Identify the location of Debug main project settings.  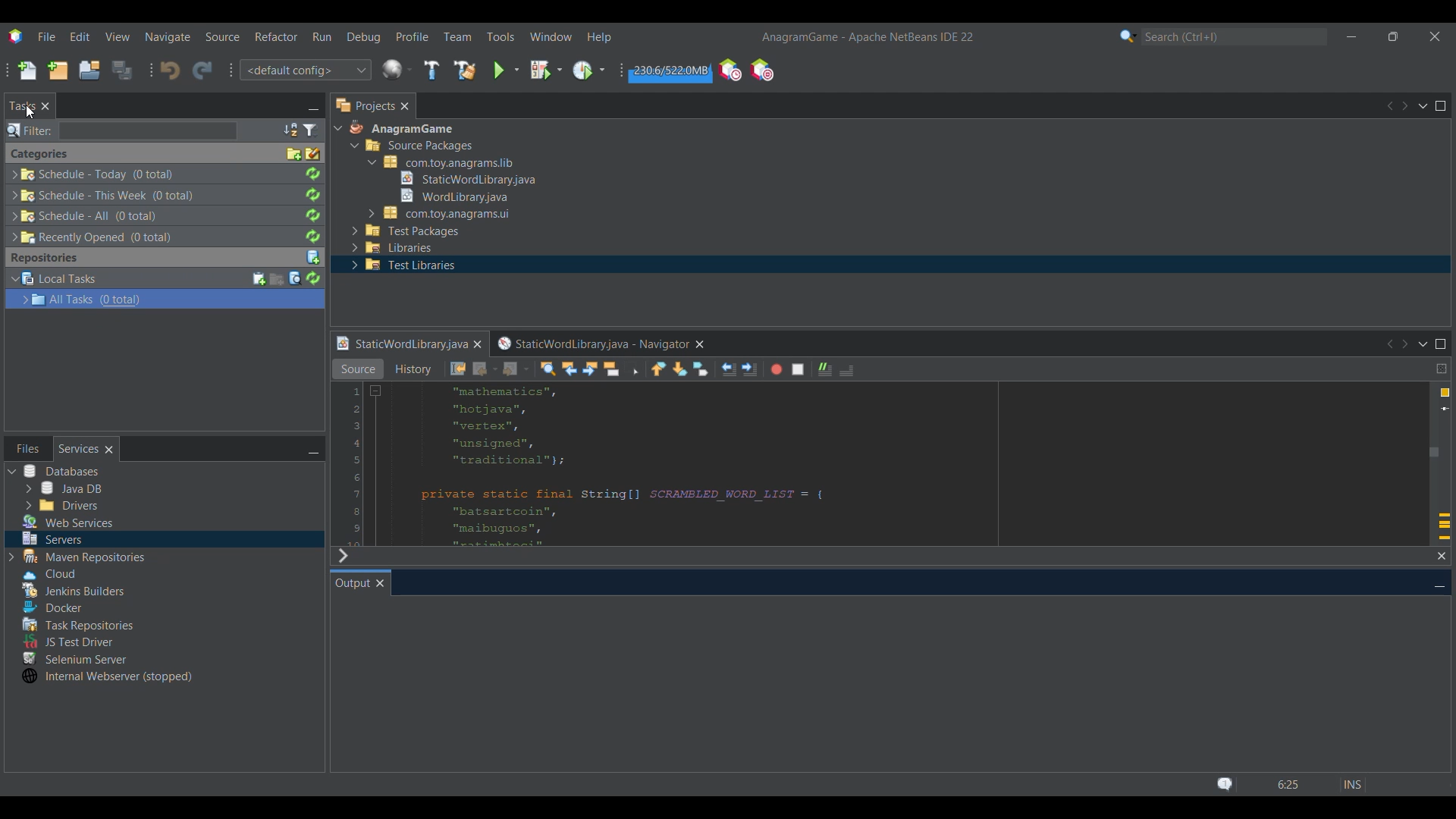
(546, 70).